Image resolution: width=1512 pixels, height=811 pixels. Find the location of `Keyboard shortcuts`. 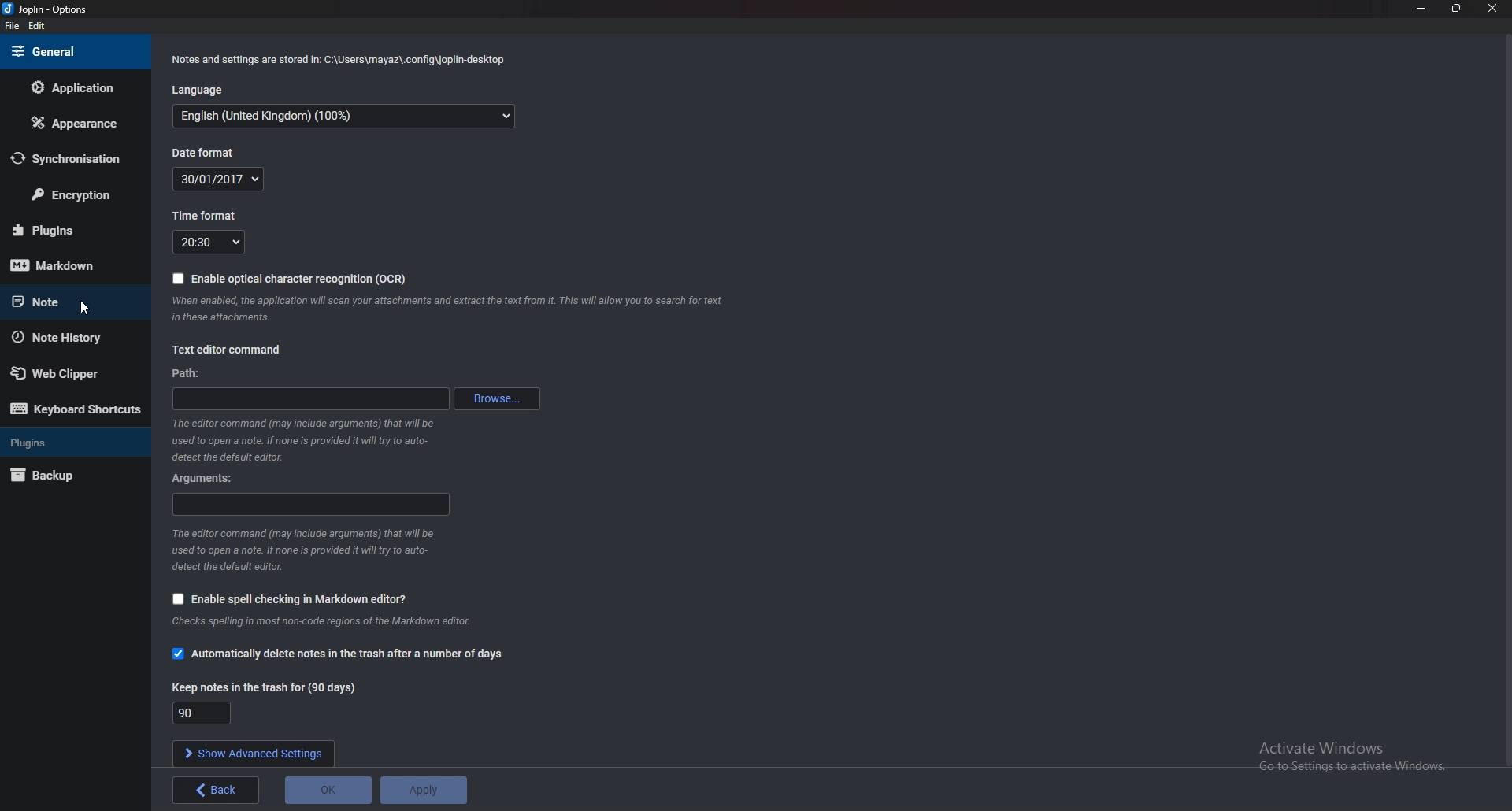

Keyboard shortcuts is located at coordinates (76, 409).